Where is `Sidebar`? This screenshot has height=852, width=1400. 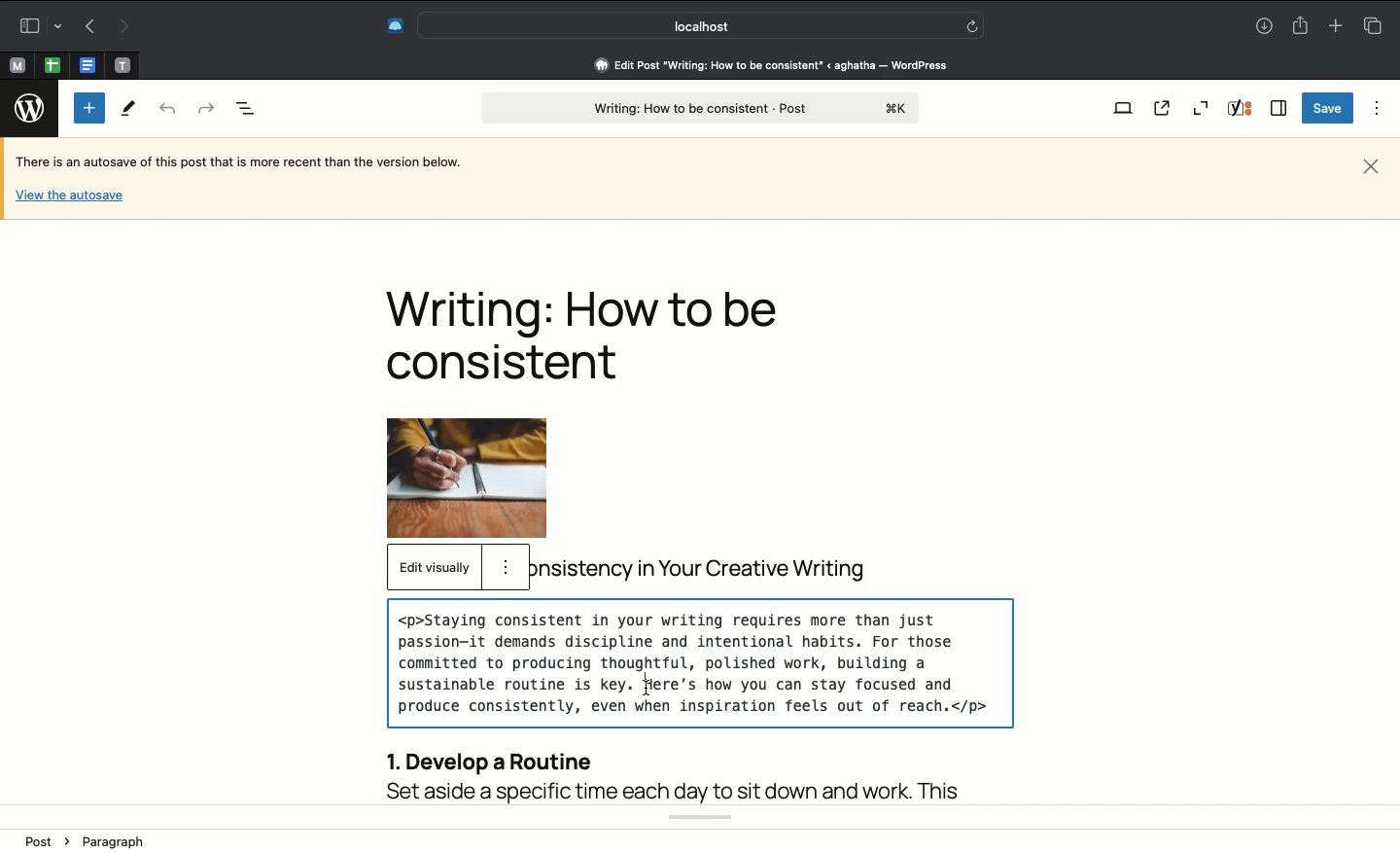
Sidebar is located at coordinates (38, 23).